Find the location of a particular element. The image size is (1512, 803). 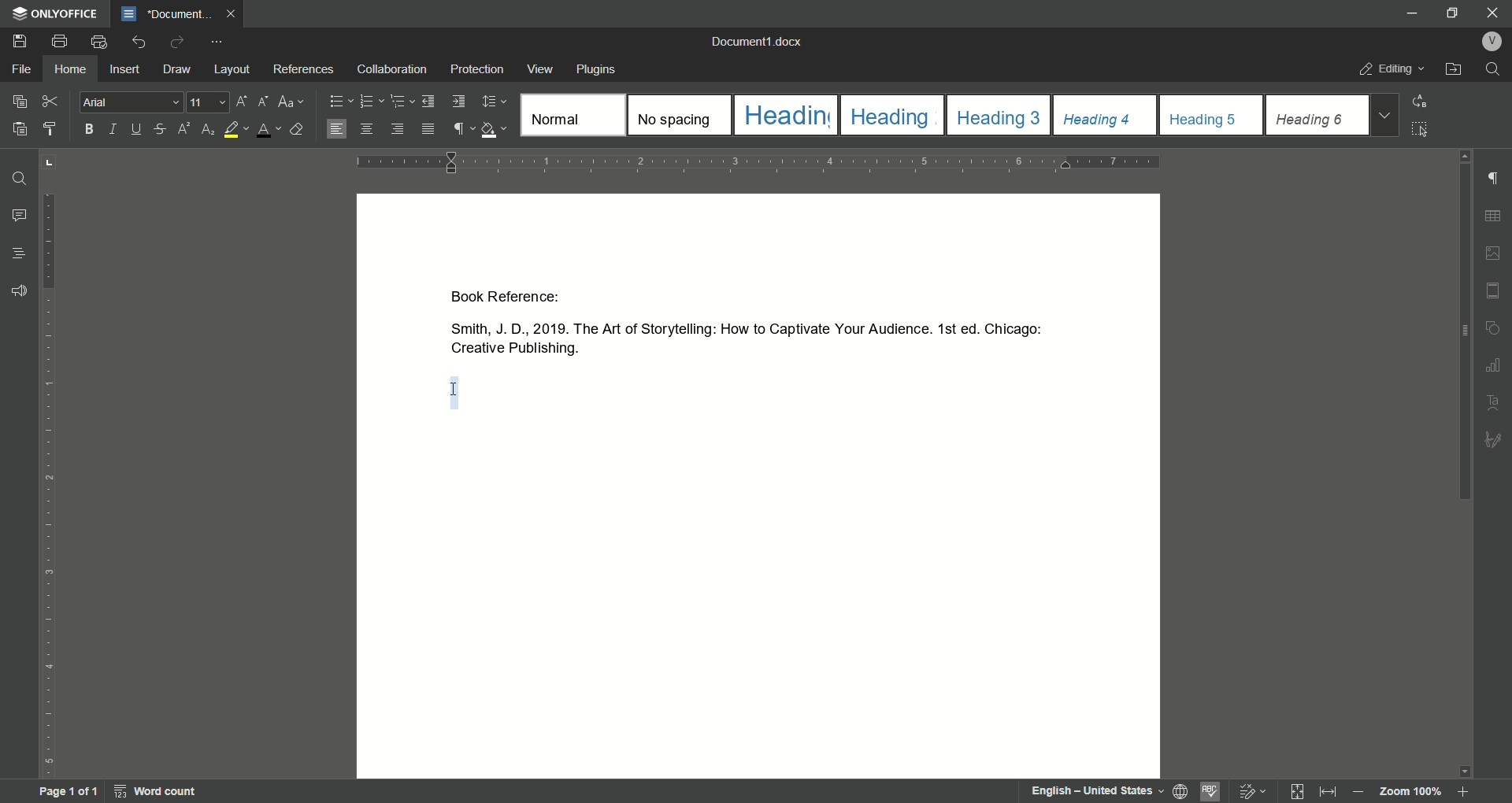

clear style is located at coordinates (299, 129).